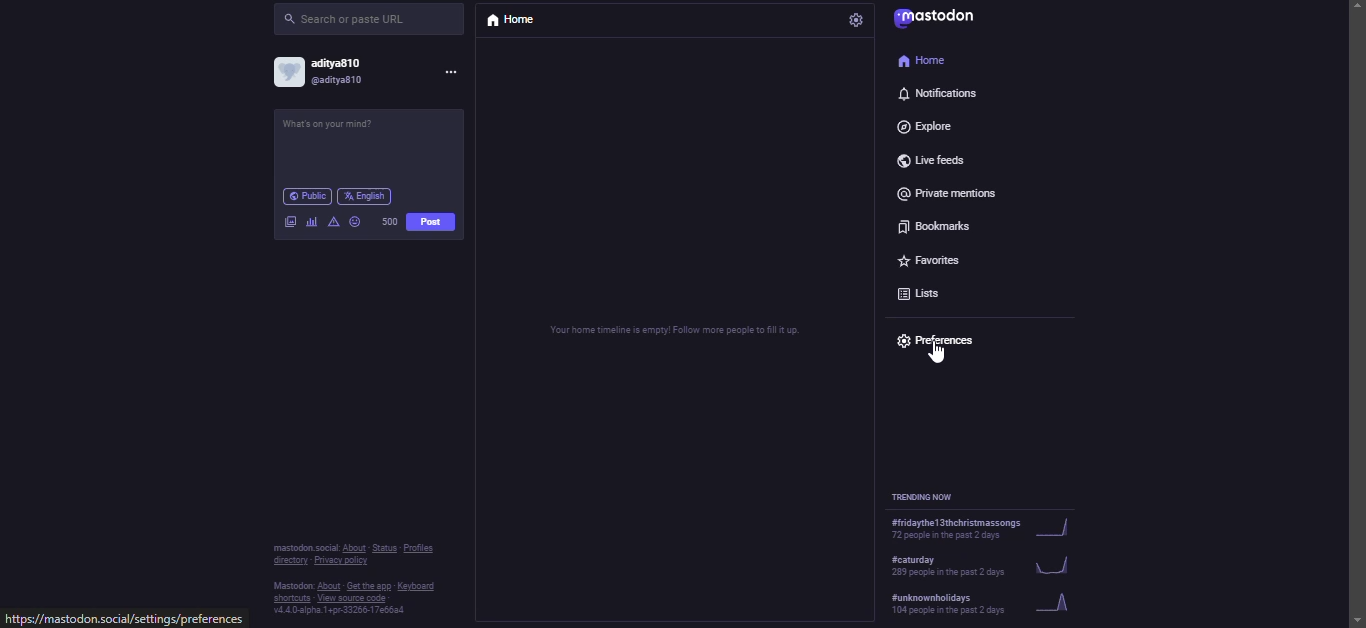 The image size is (1366, 628). I want to click on About • Get the app • Keyboard shortcuts, so click(378, 587).